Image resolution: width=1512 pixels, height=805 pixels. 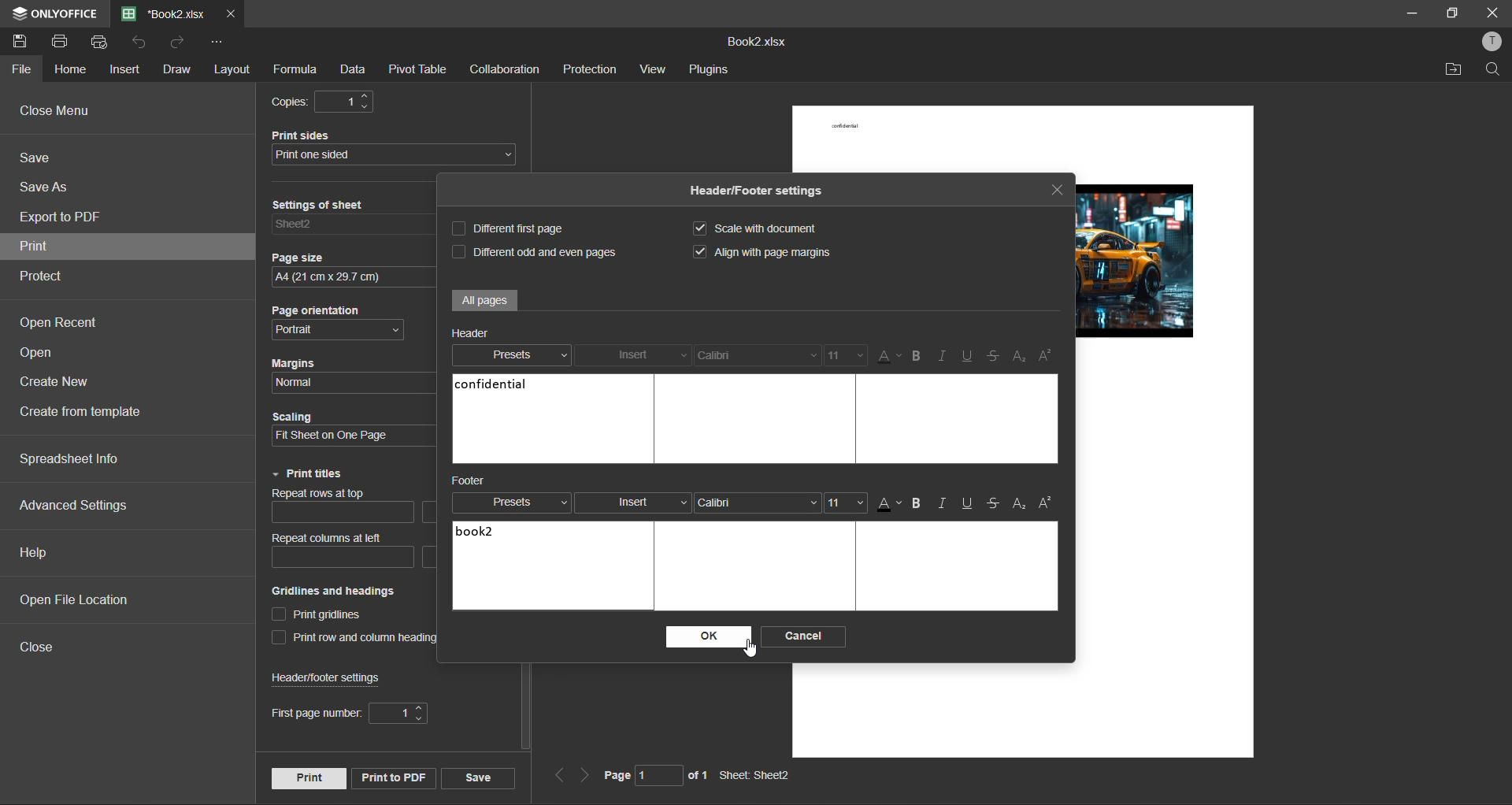 What do you see at coordinates (751, 647) in the screenshot?
I see `cursor` at bounding box center [751, 647].